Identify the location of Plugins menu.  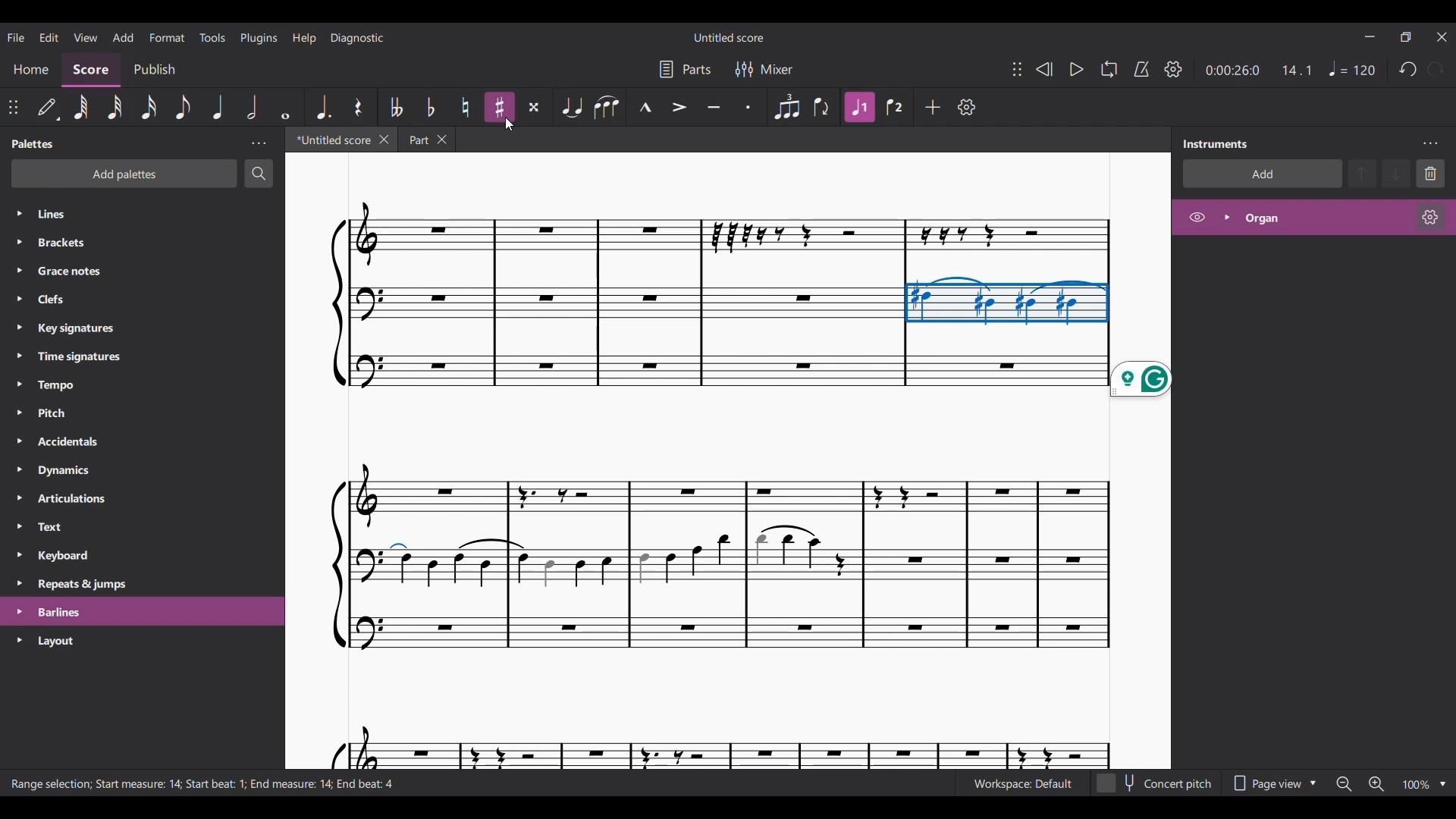
(259, 37).